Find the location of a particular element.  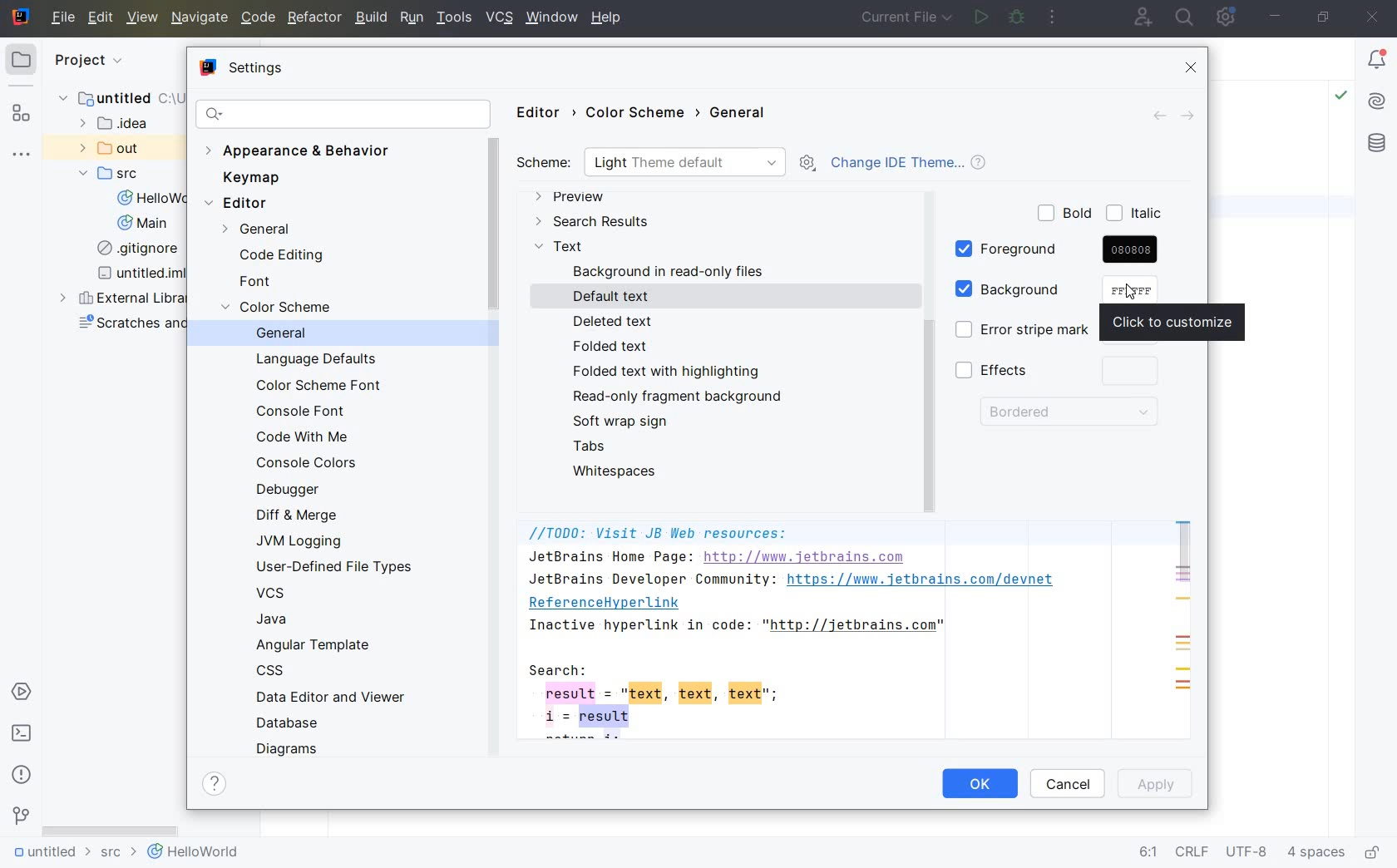

USER-DEFINED FILE TYPES is located at coordinates (334, 567).